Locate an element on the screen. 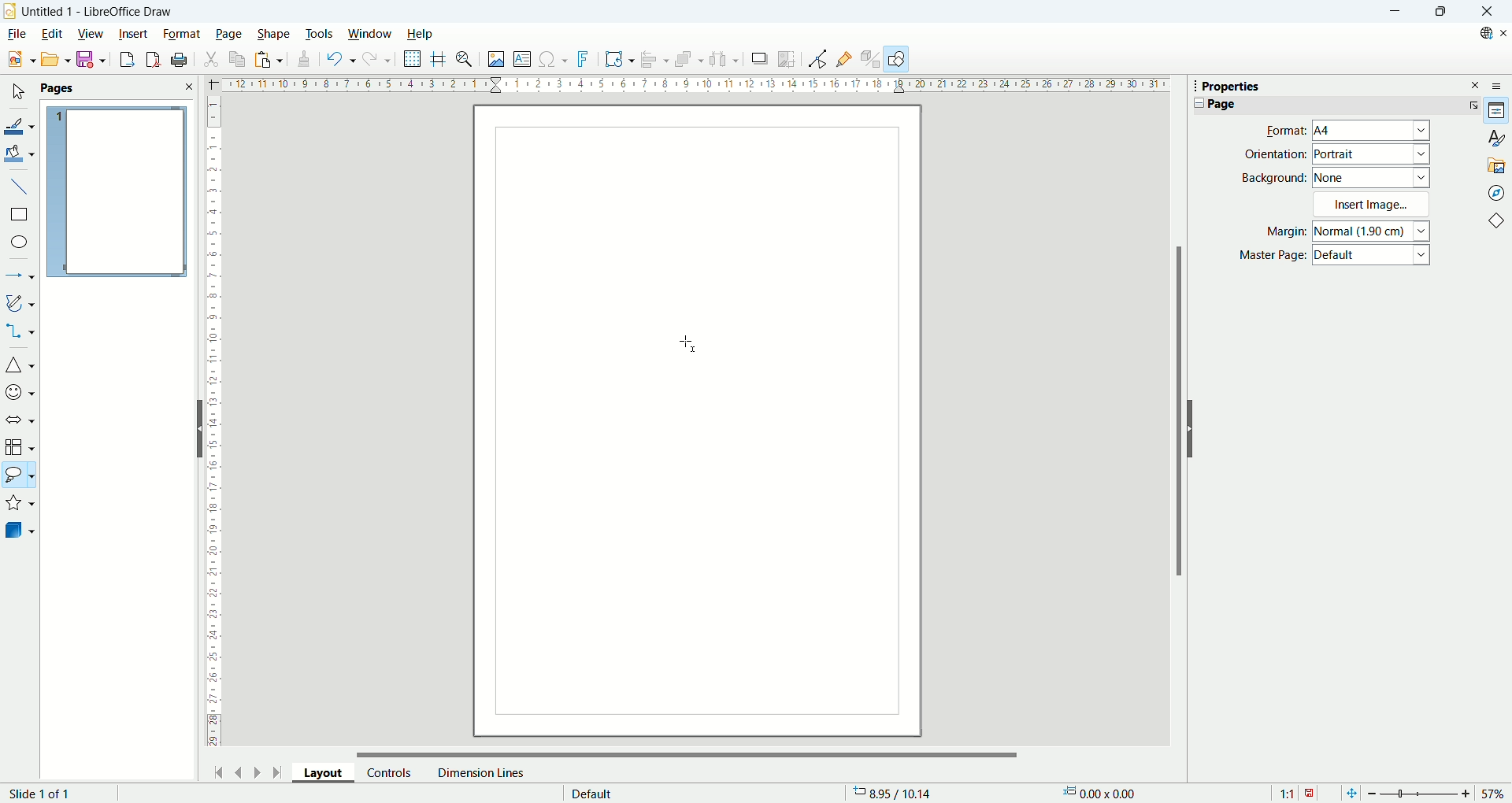  insert image is located at coordinates (495, 61).